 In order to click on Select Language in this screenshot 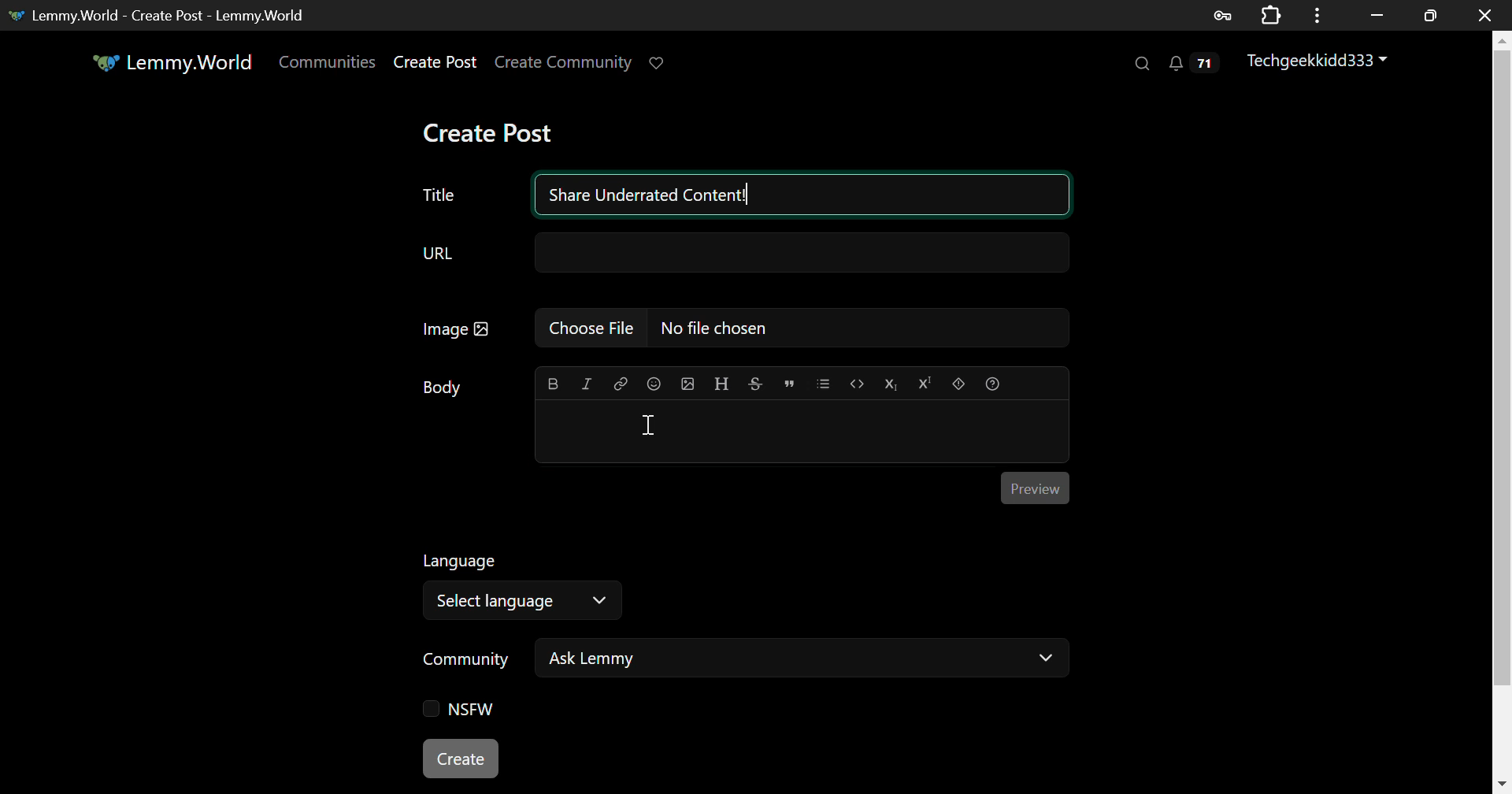, I will do `click(528, 583)`.